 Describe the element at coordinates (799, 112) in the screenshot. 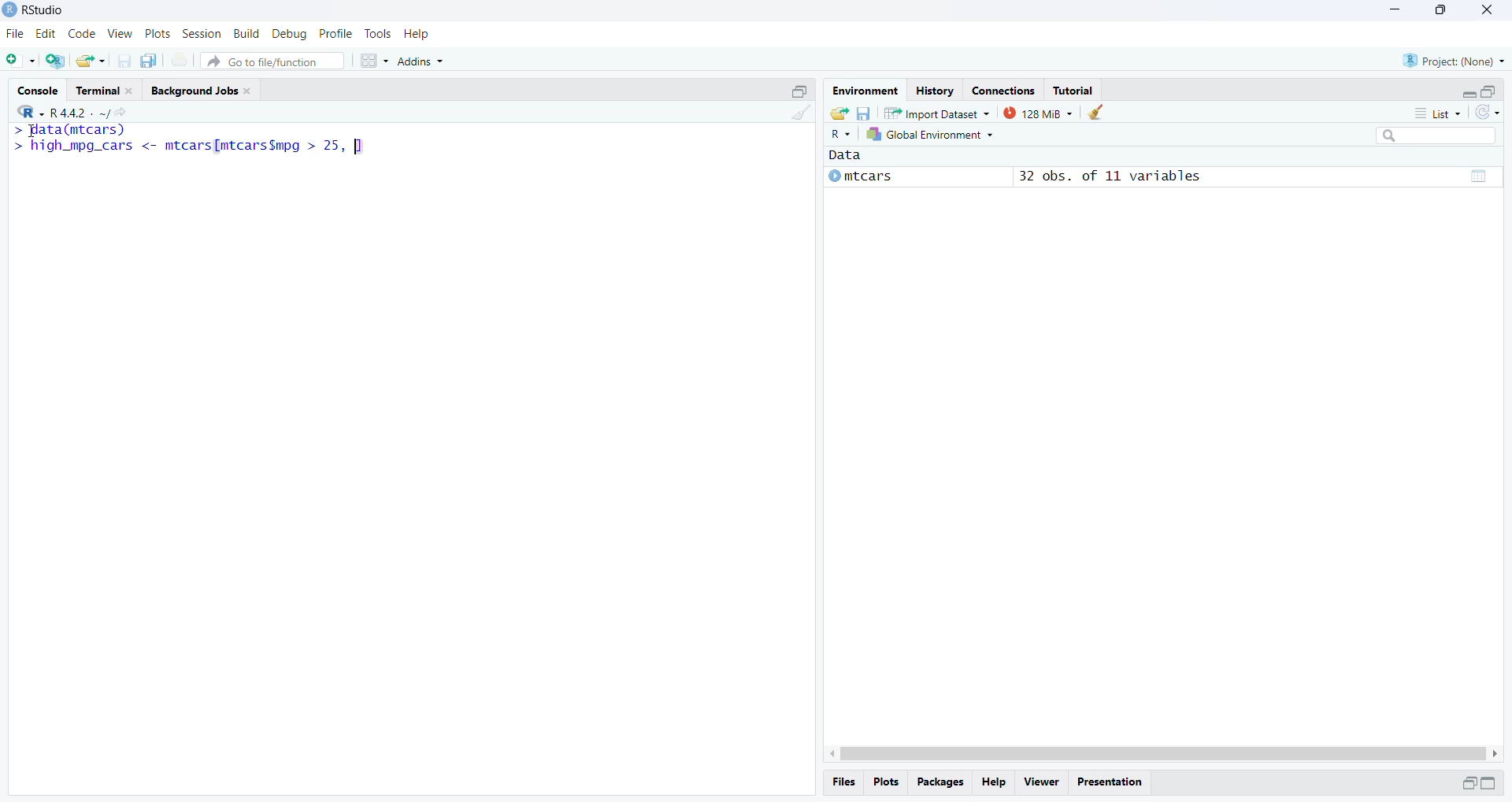

I see `clear console` at that location.